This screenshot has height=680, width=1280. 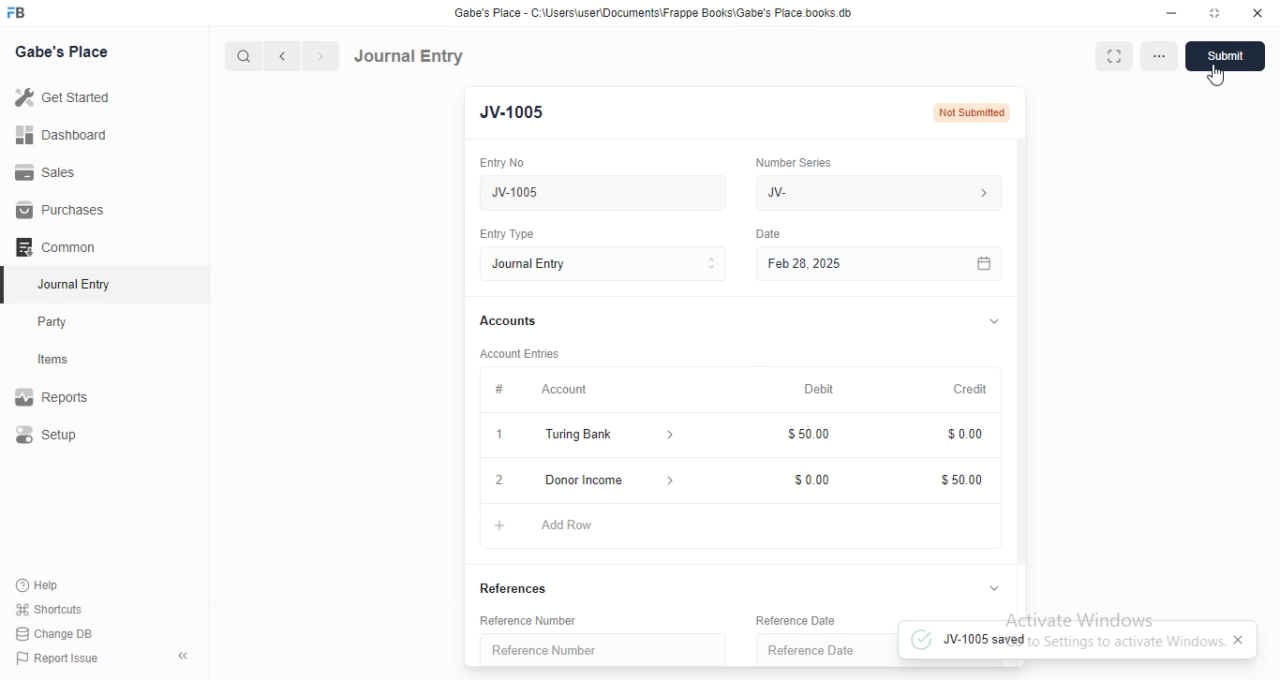 I want to click on New Entry, so click(x=519, y=113).